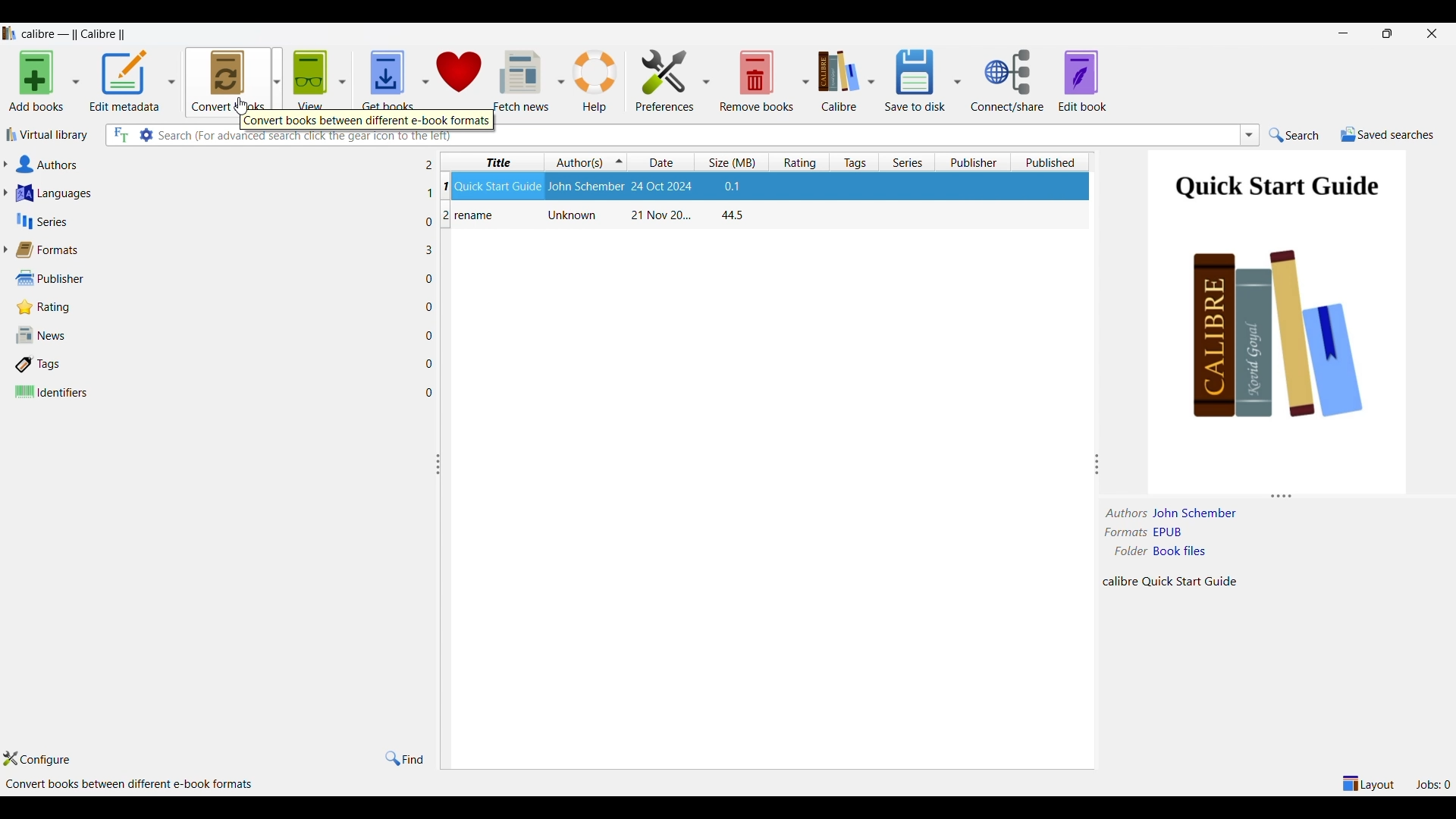  I want to click on Change width of panels attached , so click(443, 563).